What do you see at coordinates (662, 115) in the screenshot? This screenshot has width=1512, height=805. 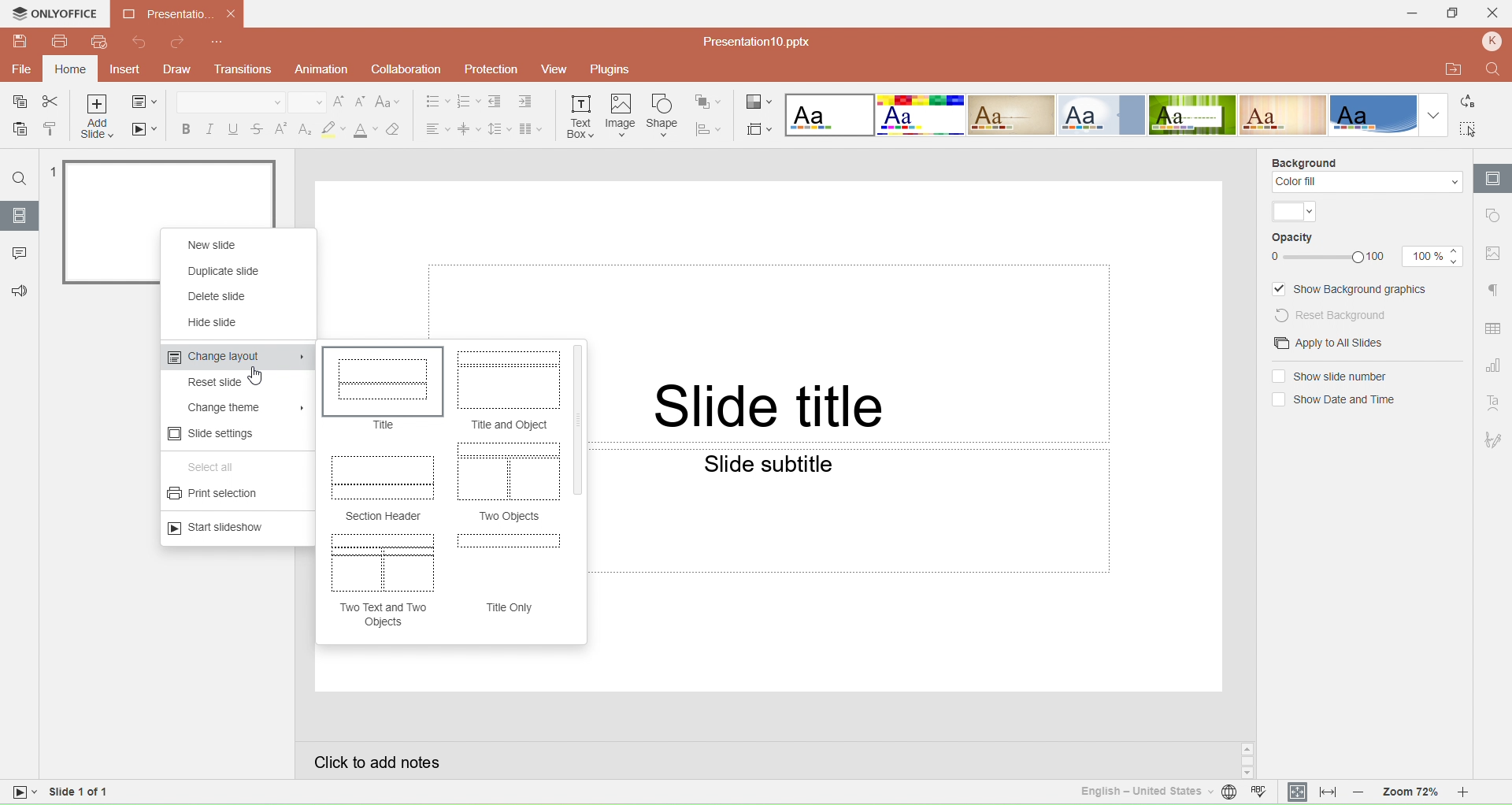 I see `Insert shape` at bounding box center [662, 115].